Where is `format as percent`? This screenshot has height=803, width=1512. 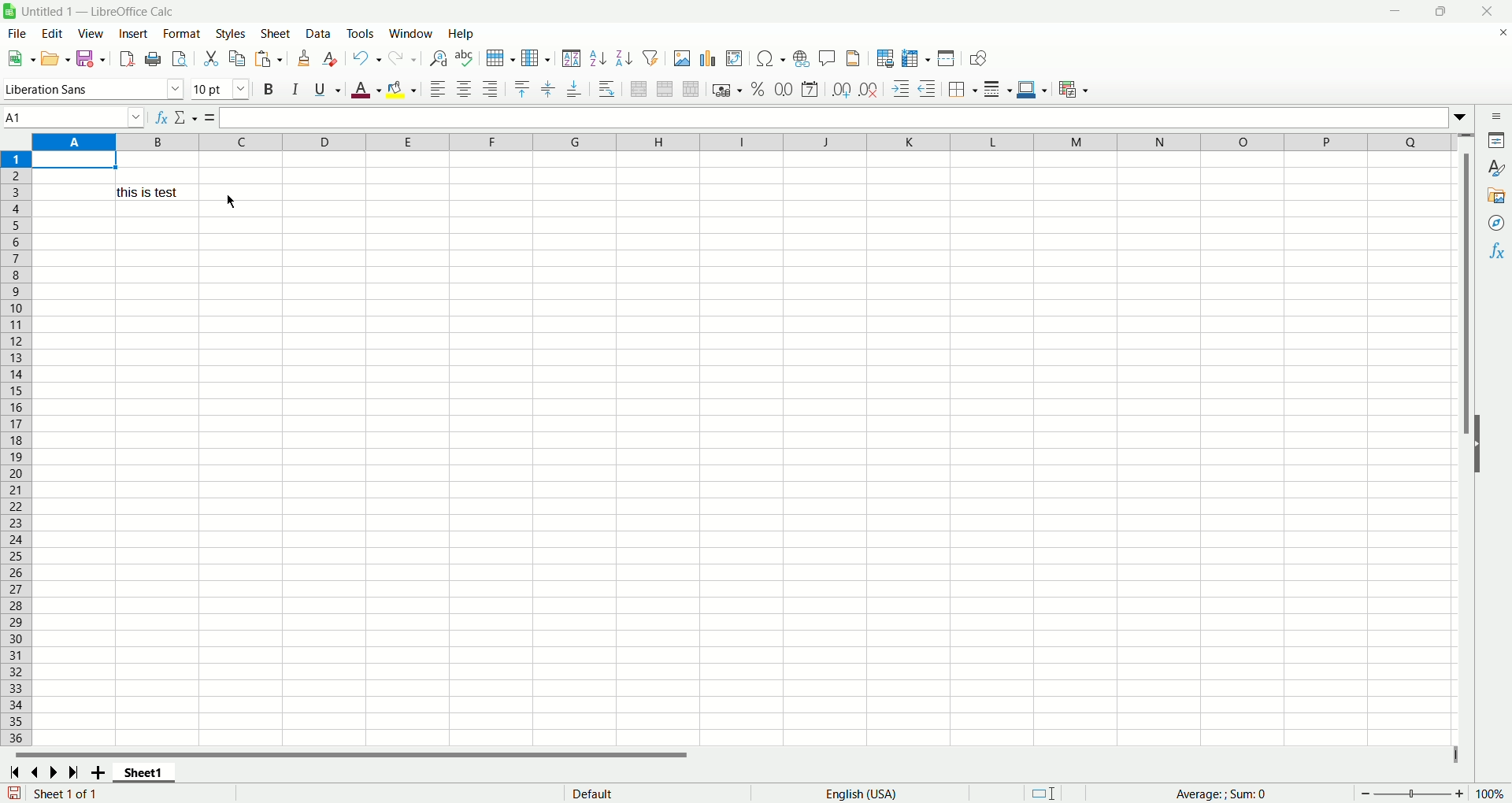
format as percent is located at coordinates (759, 87).